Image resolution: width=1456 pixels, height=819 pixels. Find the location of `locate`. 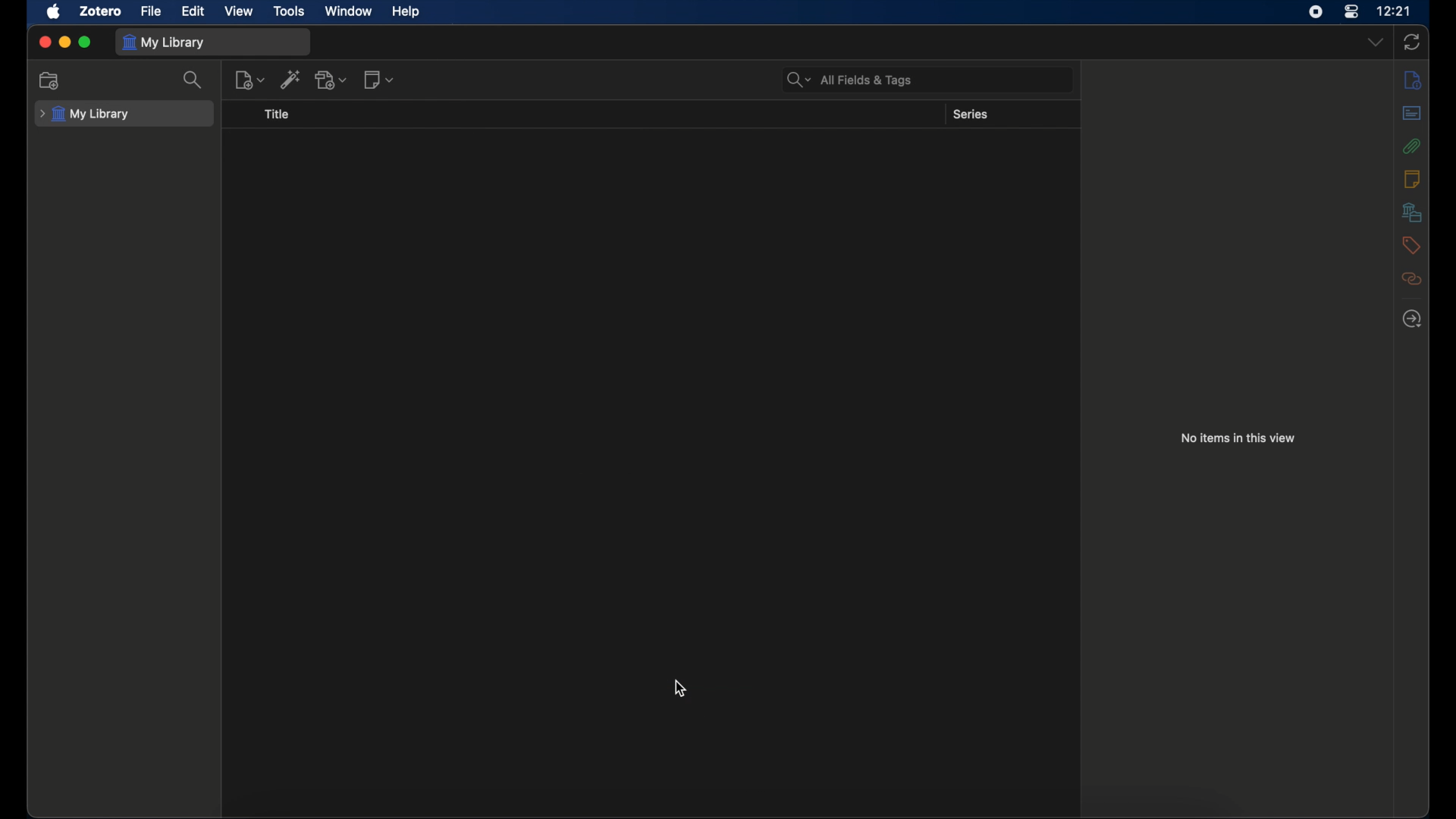

locate is located at coordinates (1412, 320).